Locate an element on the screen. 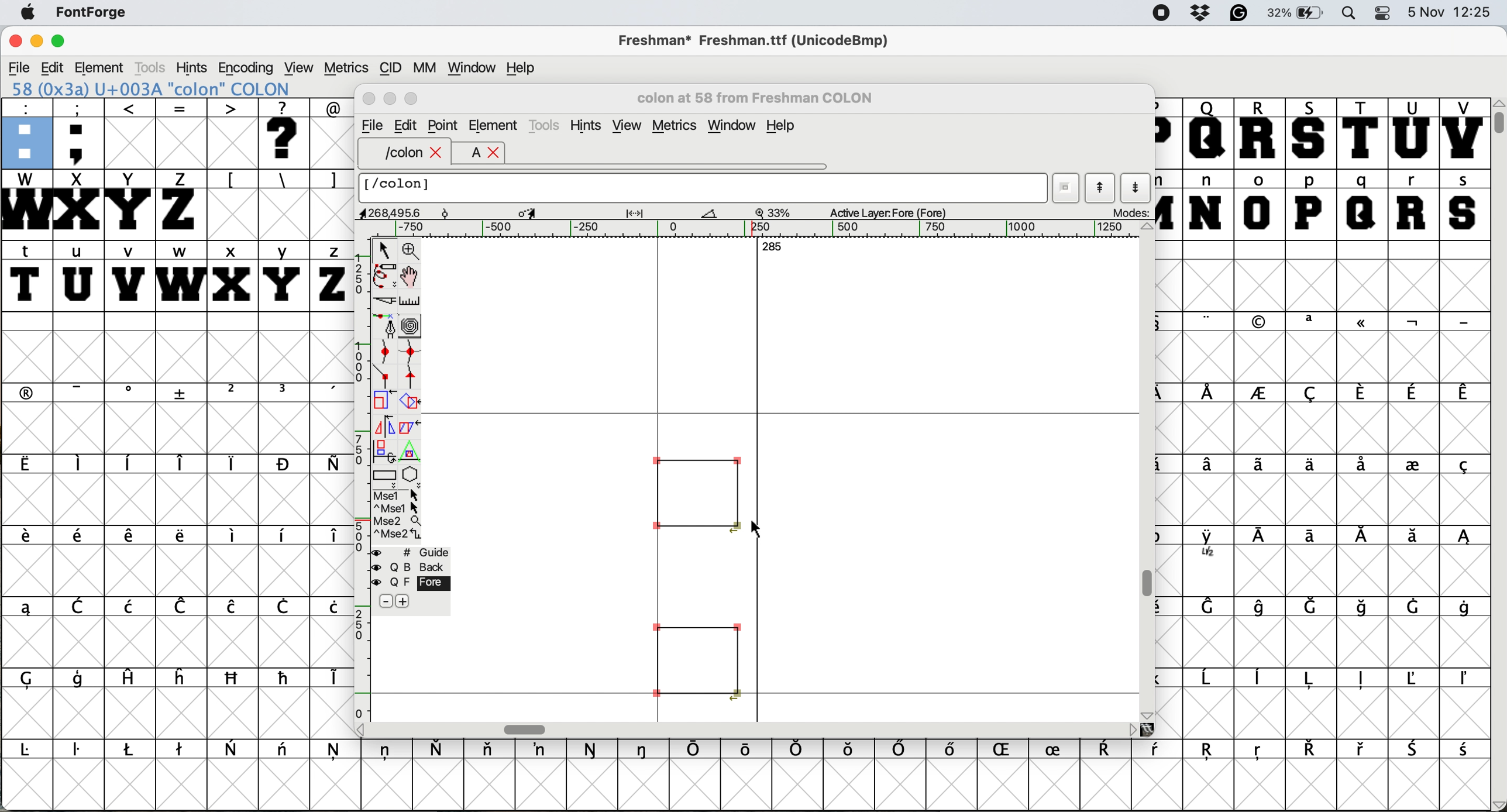  rectangle or box is located at coordinates (386, 472).